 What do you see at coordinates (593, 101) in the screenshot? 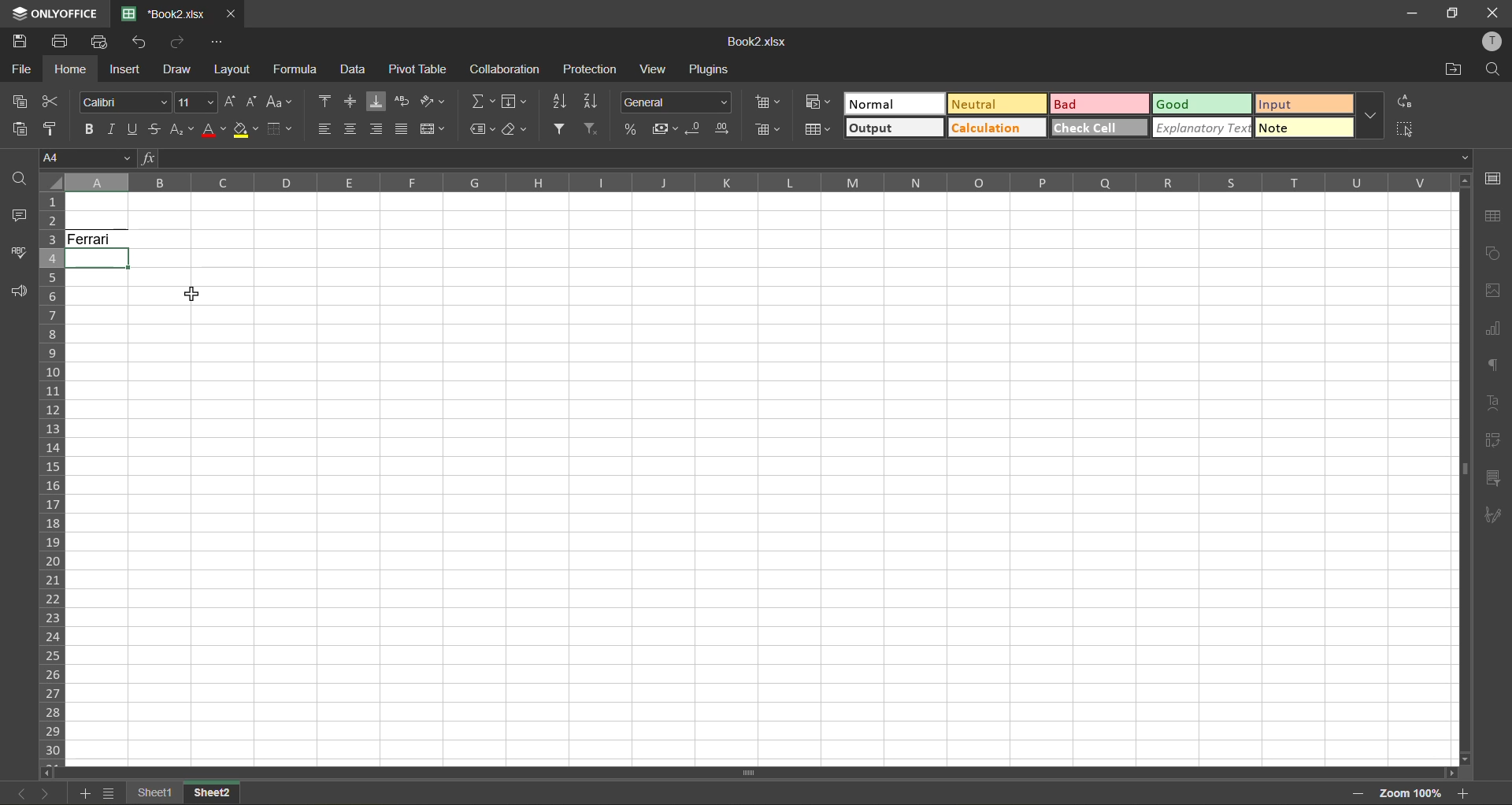
I see `sort descending` at bounding box center [593, 101].